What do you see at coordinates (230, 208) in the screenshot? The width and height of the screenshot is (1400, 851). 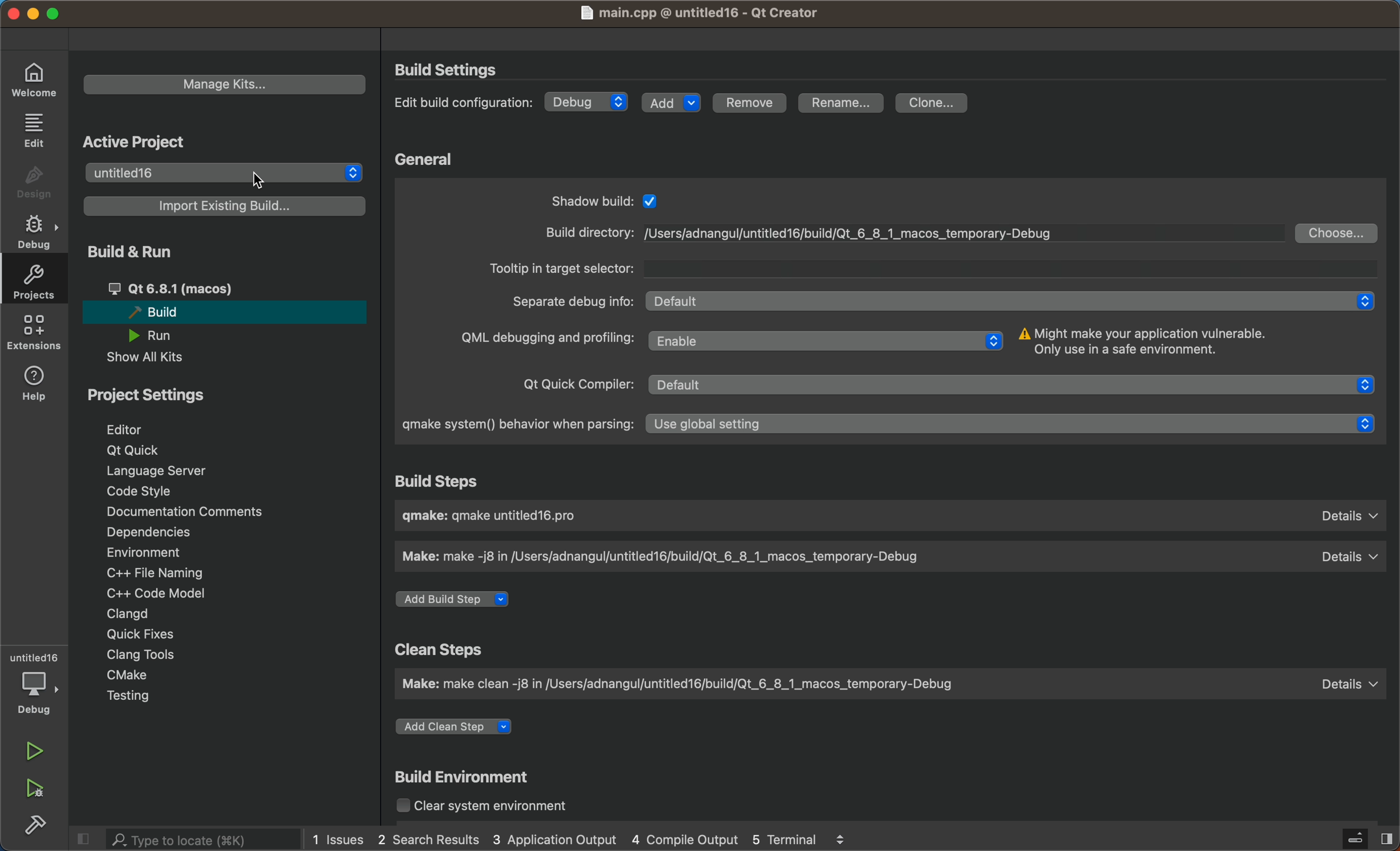 I see `import build` at bounding box center [230, 208].